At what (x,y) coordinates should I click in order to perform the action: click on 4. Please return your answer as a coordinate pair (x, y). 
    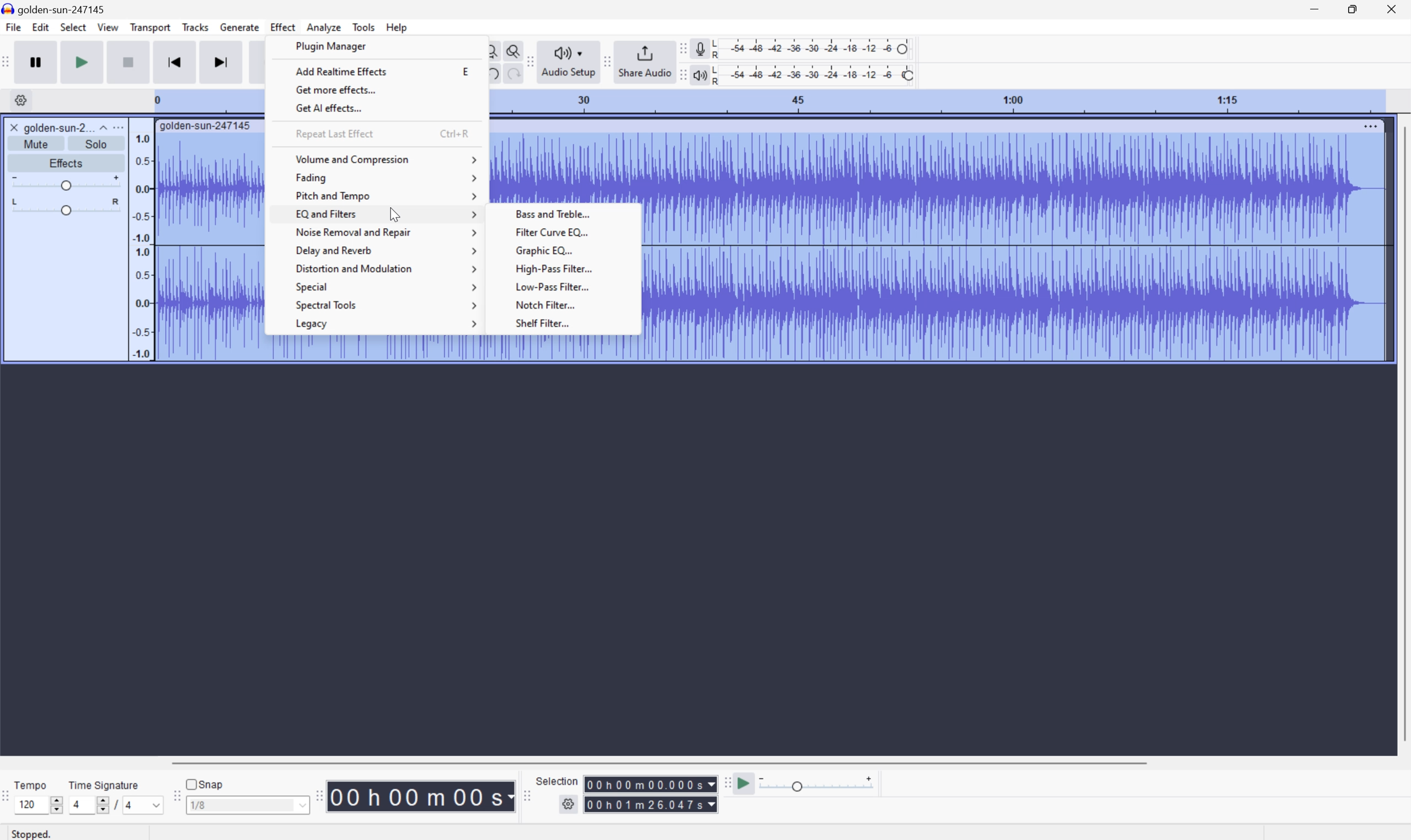
    Looking at the image, I should click on (145, 805).